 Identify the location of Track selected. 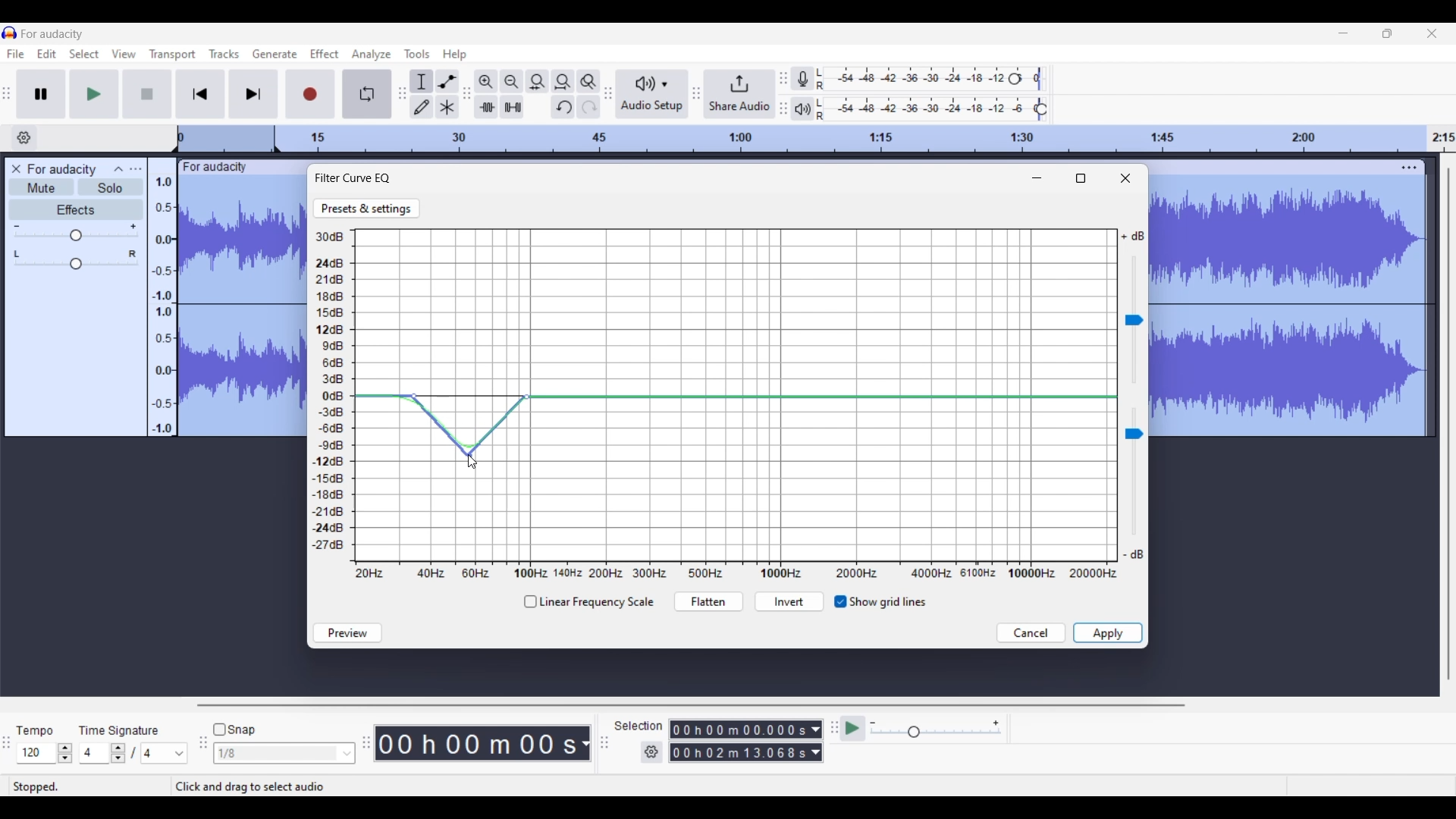
(1290, 309).